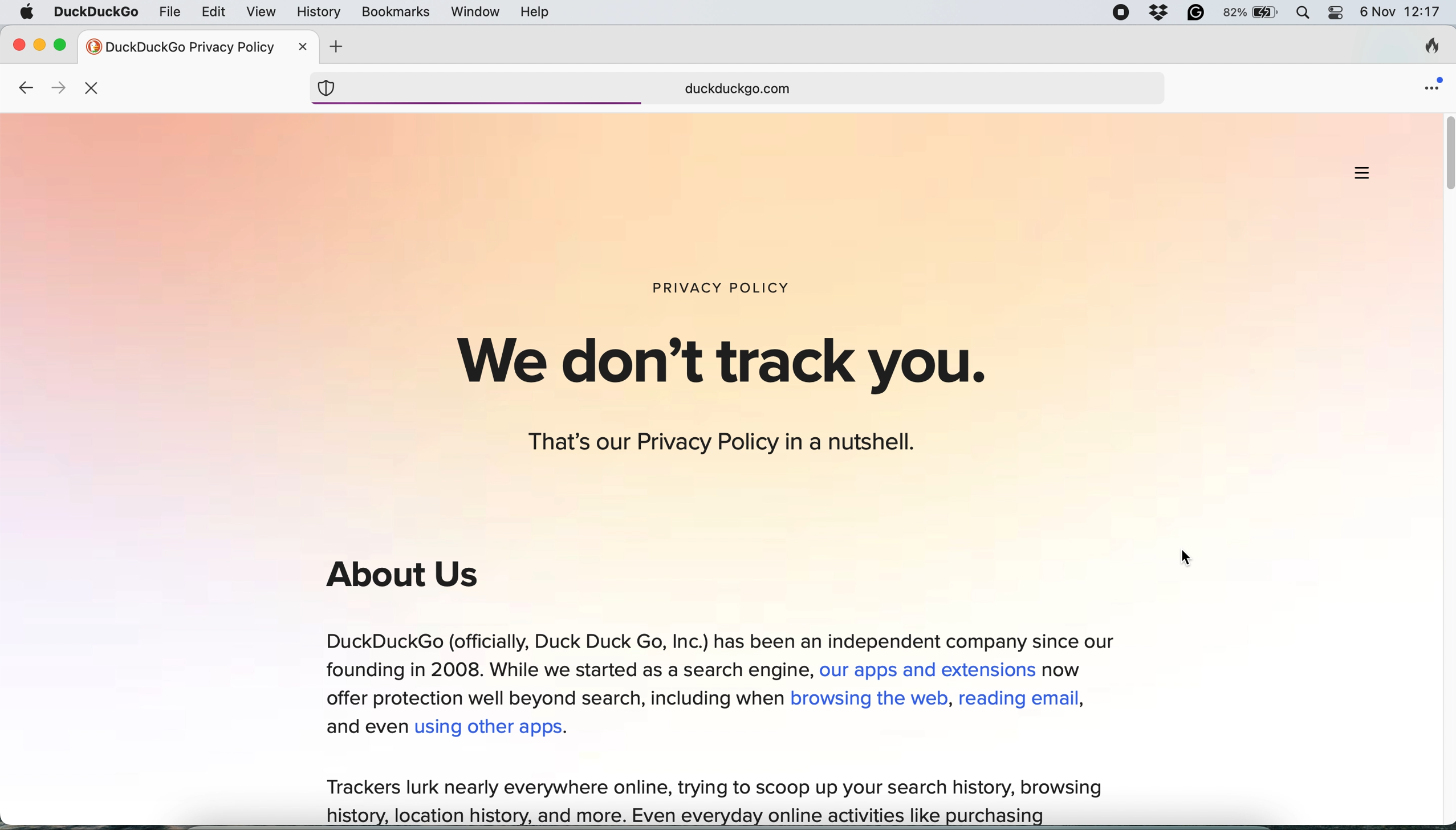  What do you see at coordinates (1250, 12) in the screenshot?
I see `battery` at bounding box center [1250, 12].